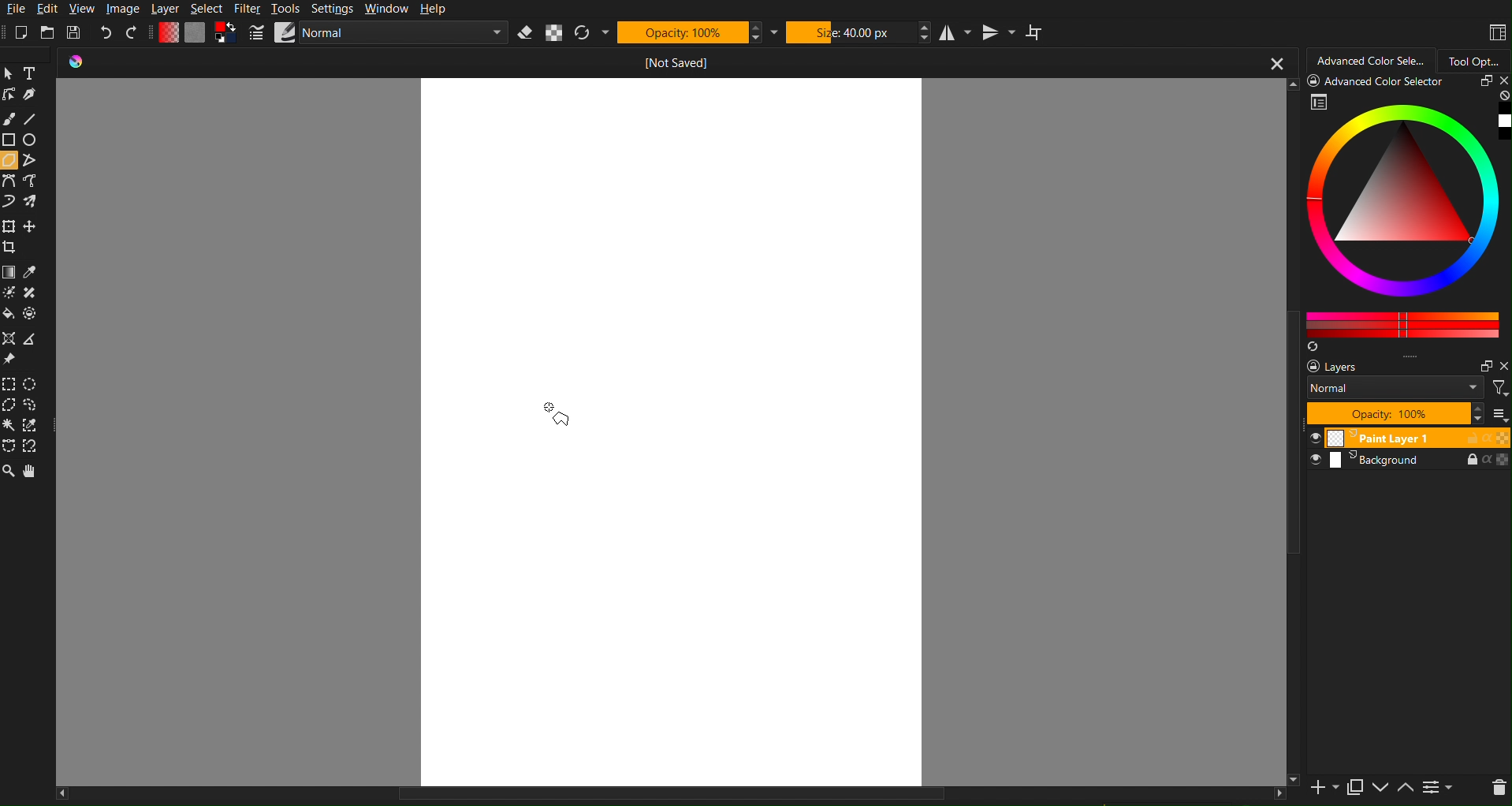 The width and height of the screenshot is (1512, 806). Describe the element at coordinates (32, 139) in the screenshot. I see `ellipse tool` at that location.